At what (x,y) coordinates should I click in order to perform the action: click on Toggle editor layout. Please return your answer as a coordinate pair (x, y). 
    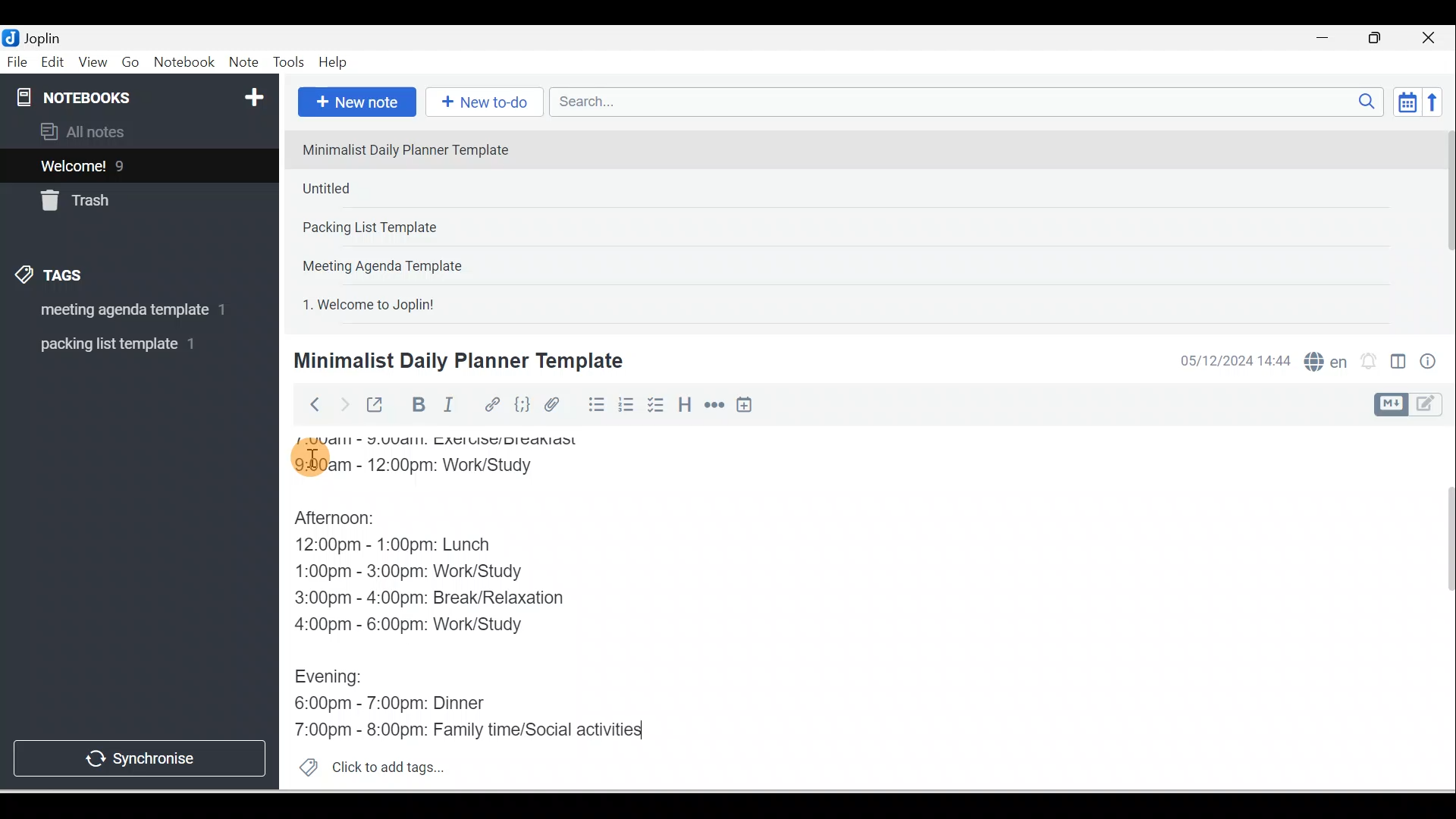
    Looking at the image, I should click on (1414, 405).